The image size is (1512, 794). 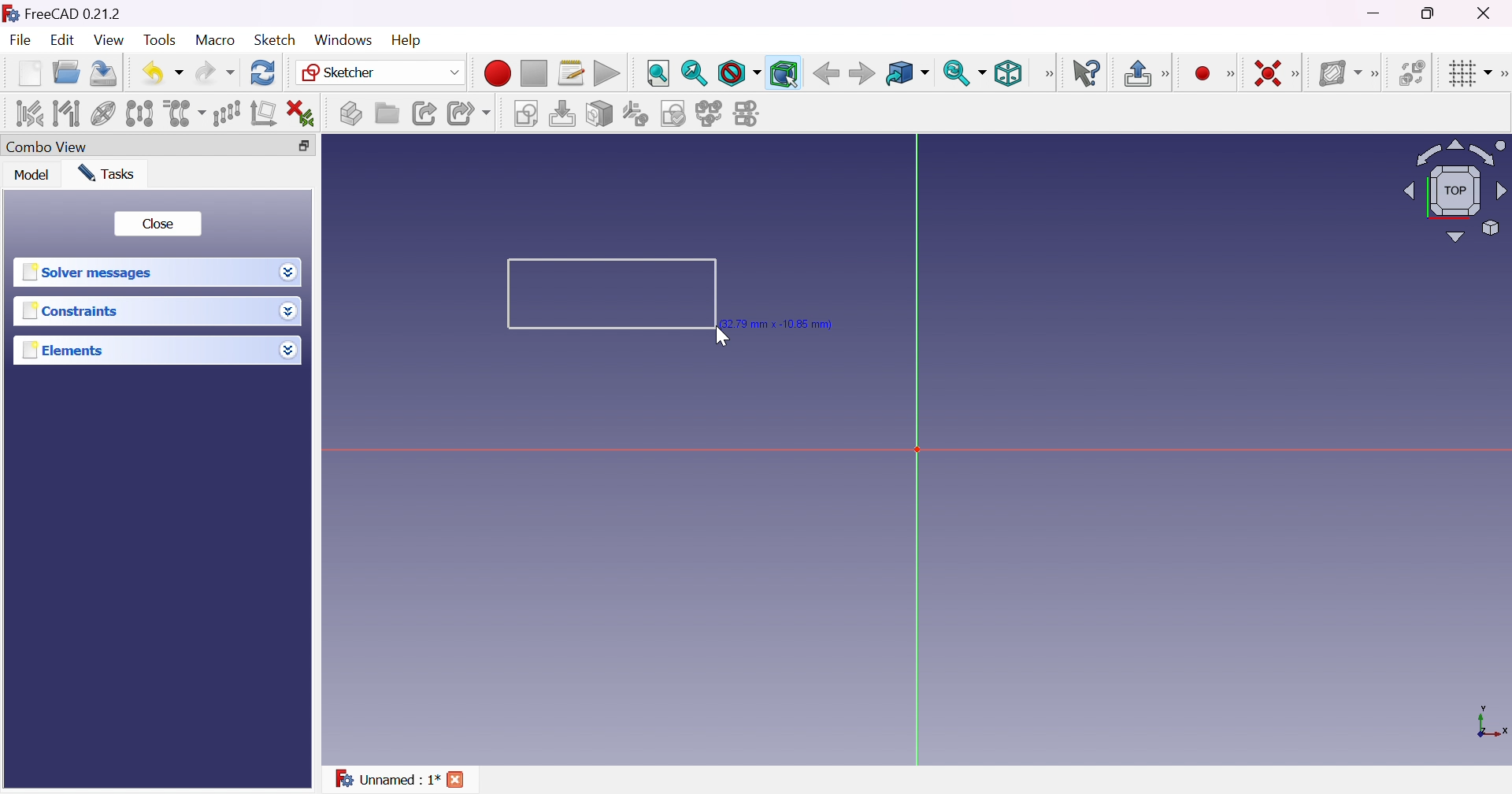 I want to click on Redo, so click(x=216, y=74).